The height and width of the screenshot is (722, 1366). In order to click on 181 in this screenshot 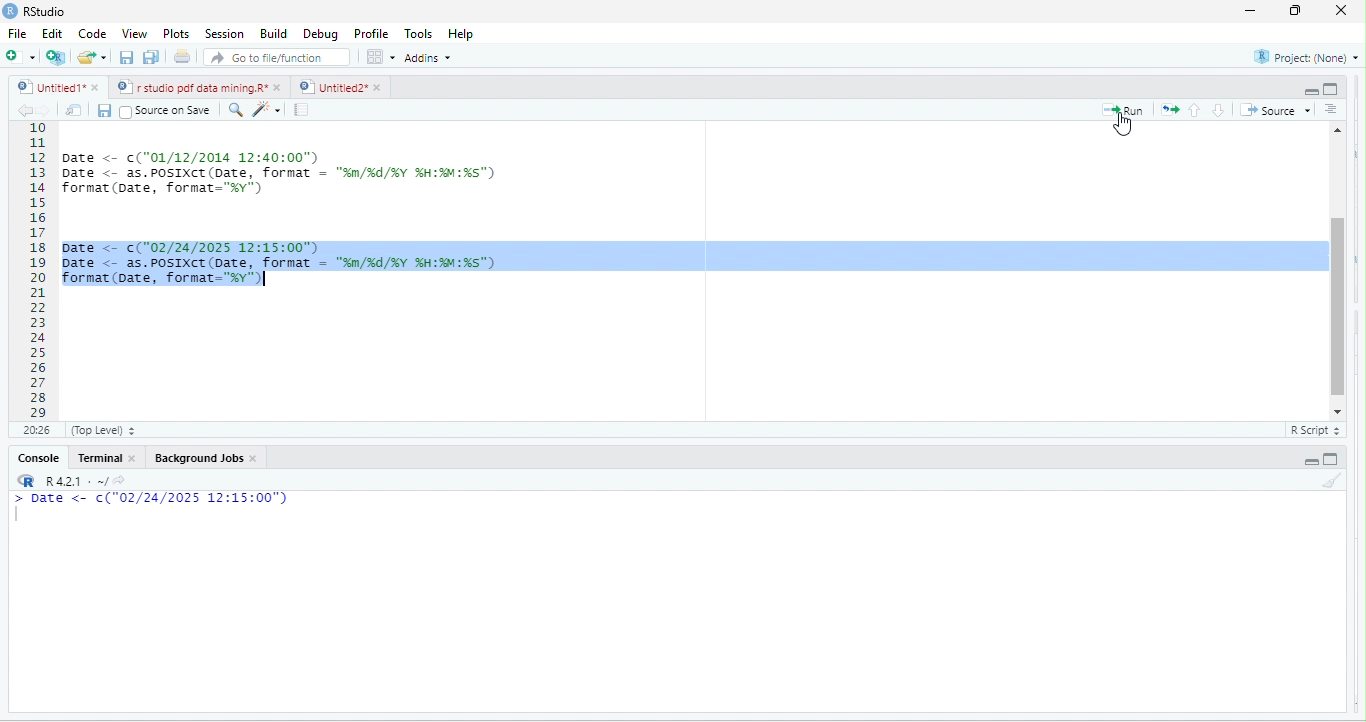, I will do `click(35, 431)`.